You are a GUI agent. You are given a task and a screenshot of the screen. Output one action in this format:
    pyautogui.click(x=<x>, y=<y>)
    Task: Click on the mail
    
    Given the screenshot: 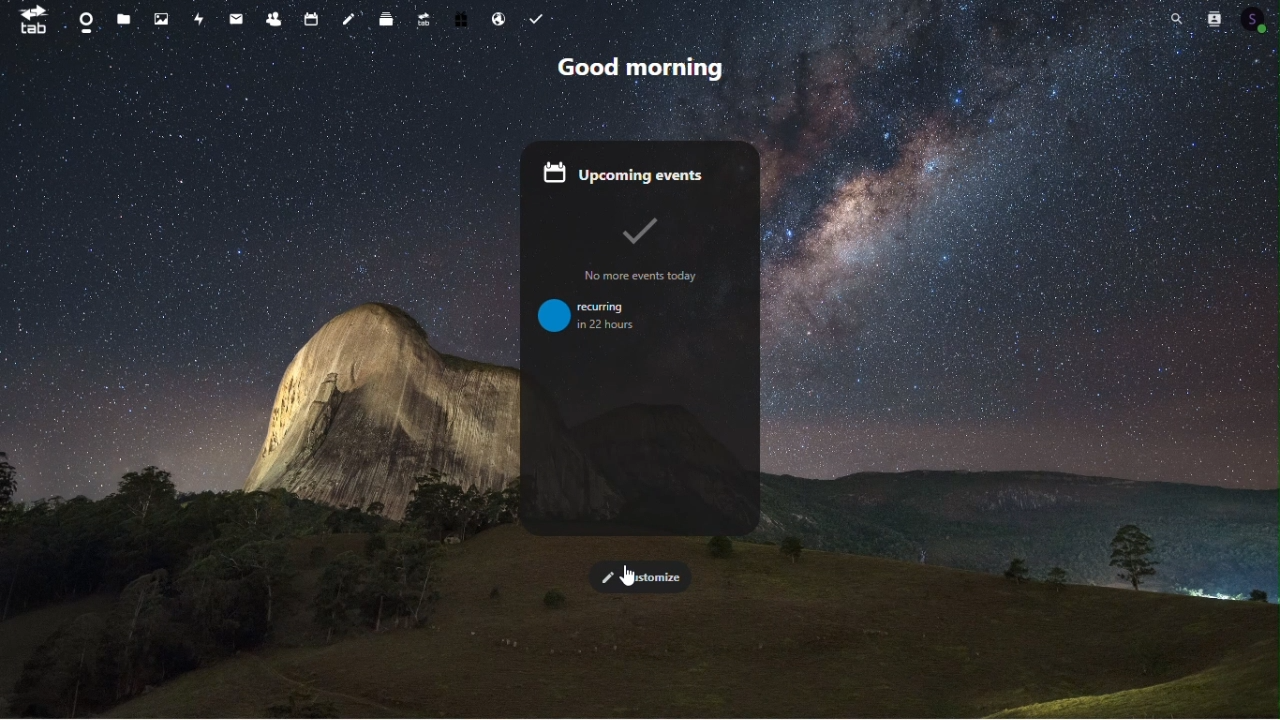 What is the action you would take?
    pyautogui.click(x=236, y=16)
    